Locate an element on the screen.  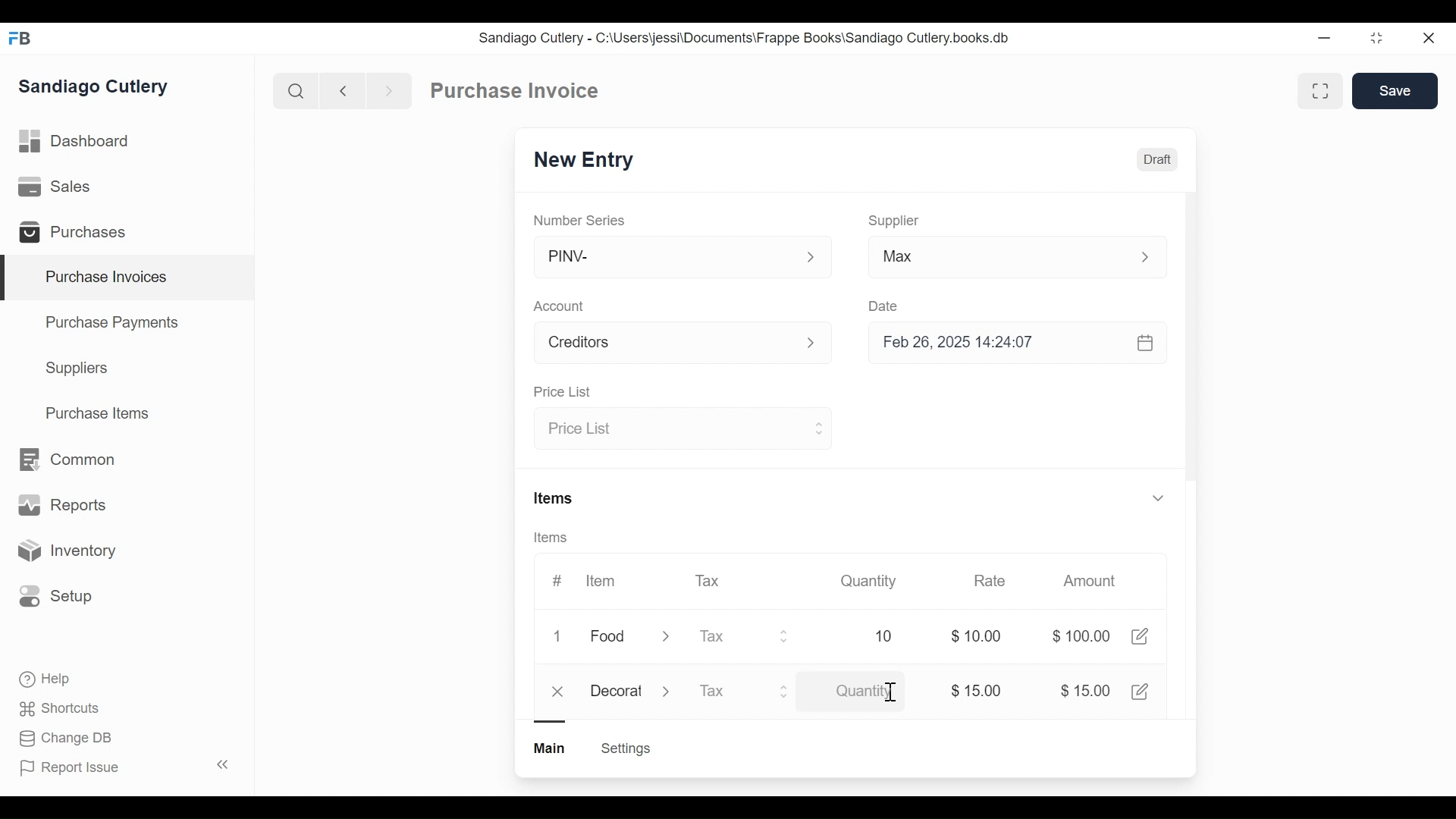
Navigate forward is located at coordinates (388, 89).